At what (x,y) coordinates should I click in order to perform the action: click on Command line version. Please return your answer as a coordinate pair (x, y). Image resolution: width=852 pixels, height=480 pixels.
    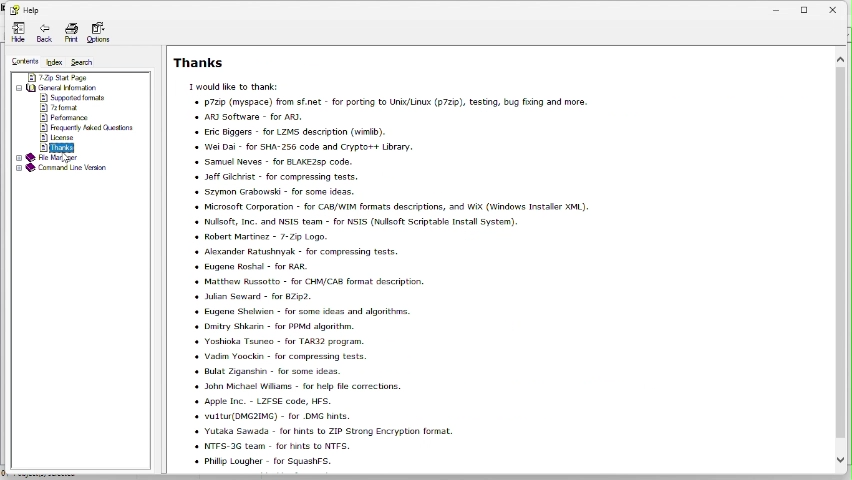
    Looking at the image, I should click on (62, 169).